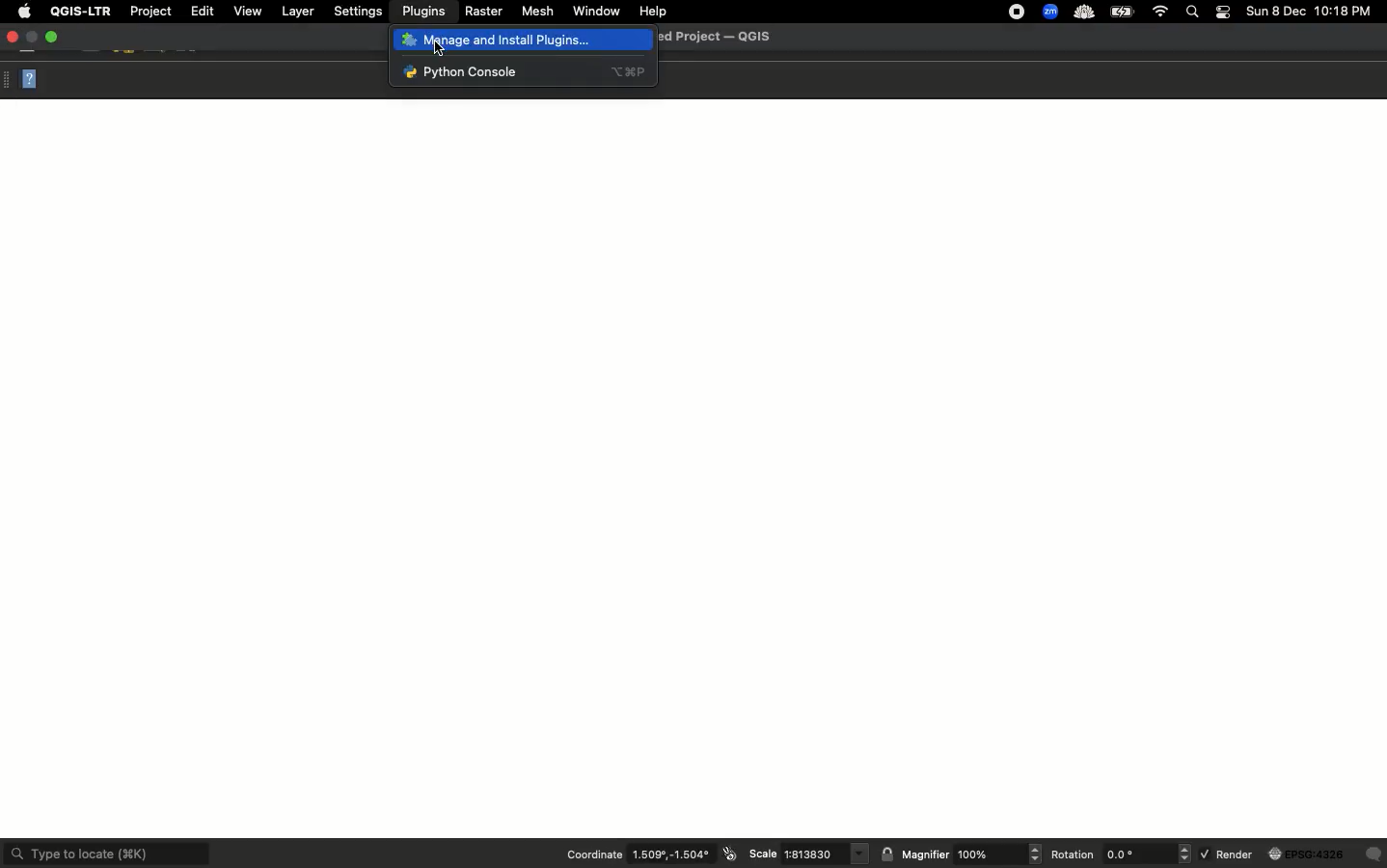 The height and width of the screenshot is (868, 1387). I want to click on Manage and install plugins, so click(529, 39).